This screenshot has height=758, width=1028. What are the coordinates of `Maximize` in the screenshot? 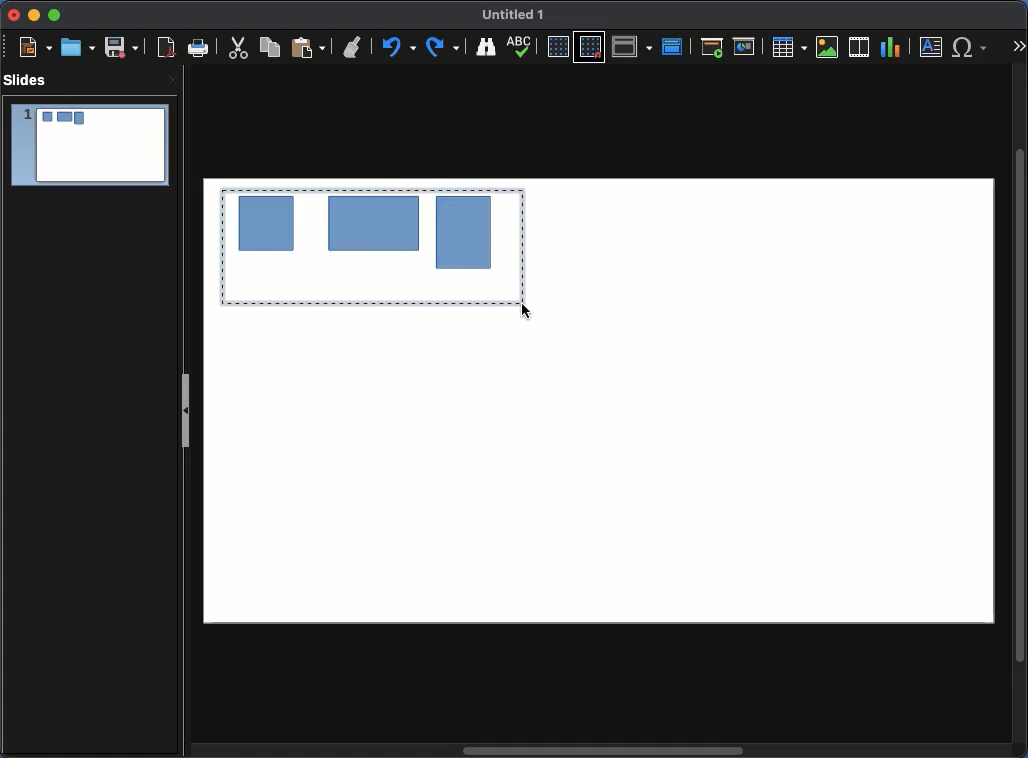 It's located at (53, 15).